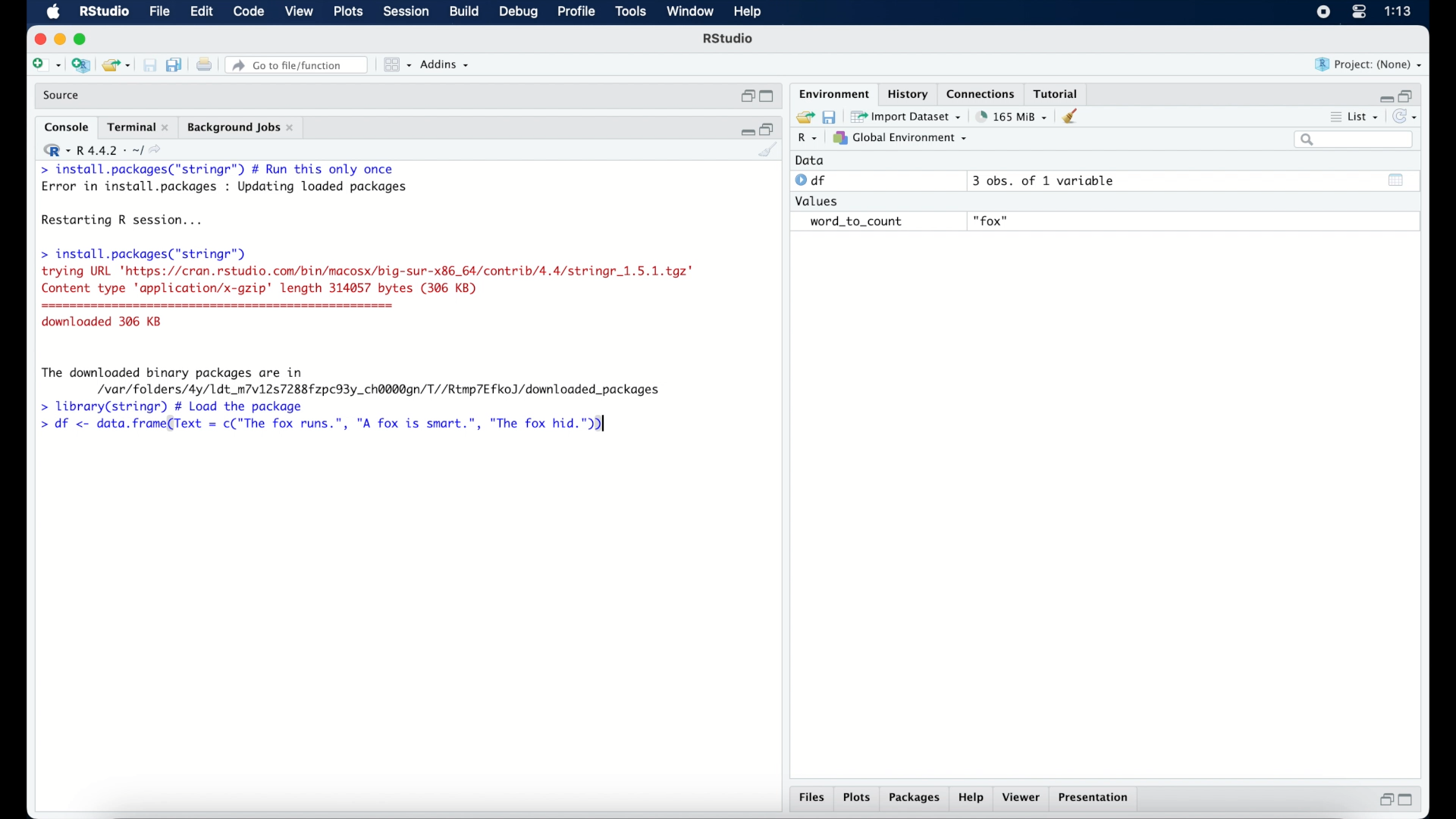 Image resolution: width=1456 pixels, height=819 pixels. I want to click on maximize, so click(1409, 800).